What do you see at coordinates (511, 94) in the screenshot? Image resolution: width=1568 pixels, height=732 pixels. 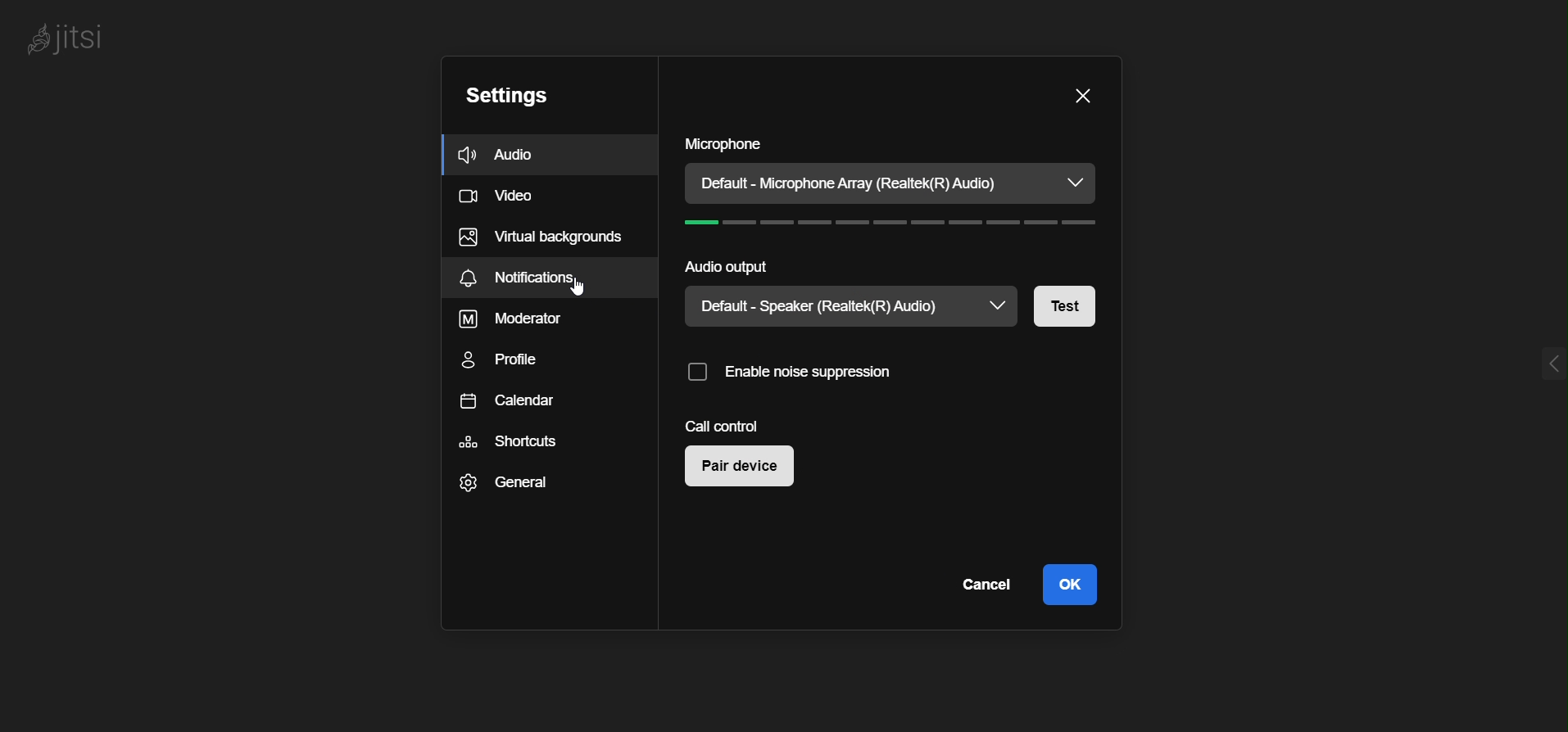 I see `setting ` at bounding box center [511, 94].